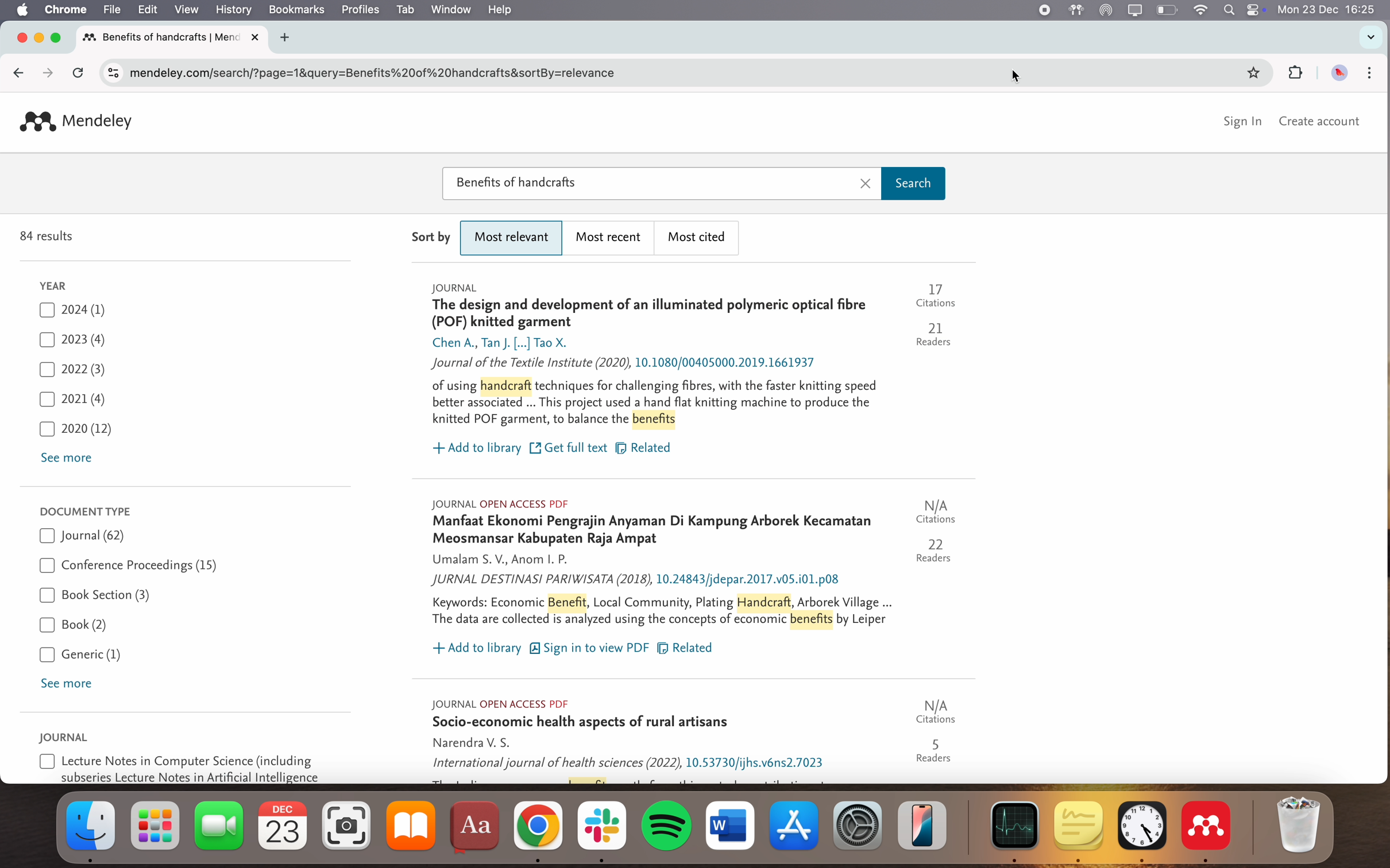 This screenshot has height=868, width=1390. Describe the element at coordinates (69, 459) in the screenshot. I see `see more` at that location.